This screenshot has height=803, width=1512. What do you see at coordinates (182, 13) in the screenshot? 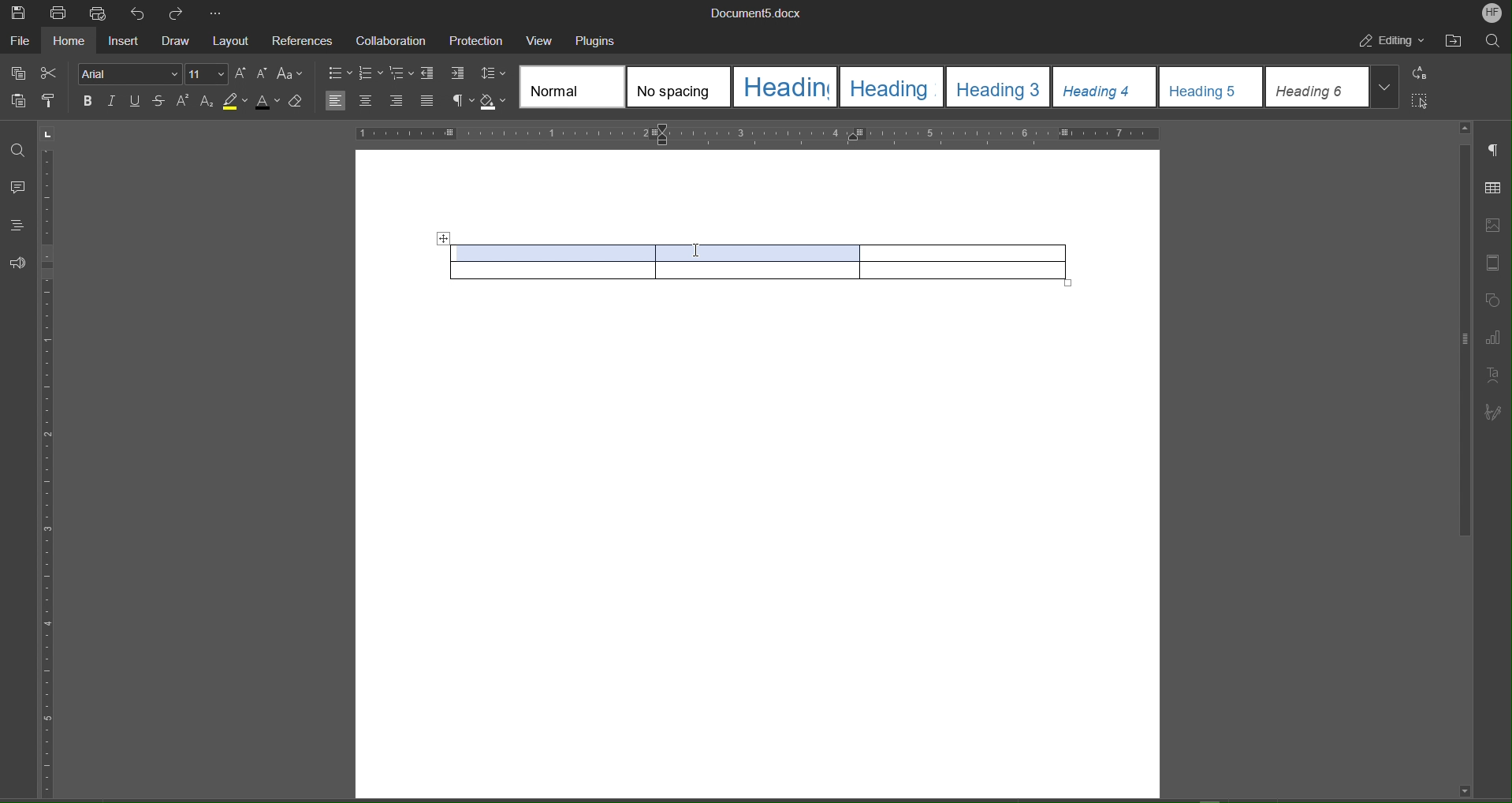
I see `Redo` at bounding box center [182, 13].